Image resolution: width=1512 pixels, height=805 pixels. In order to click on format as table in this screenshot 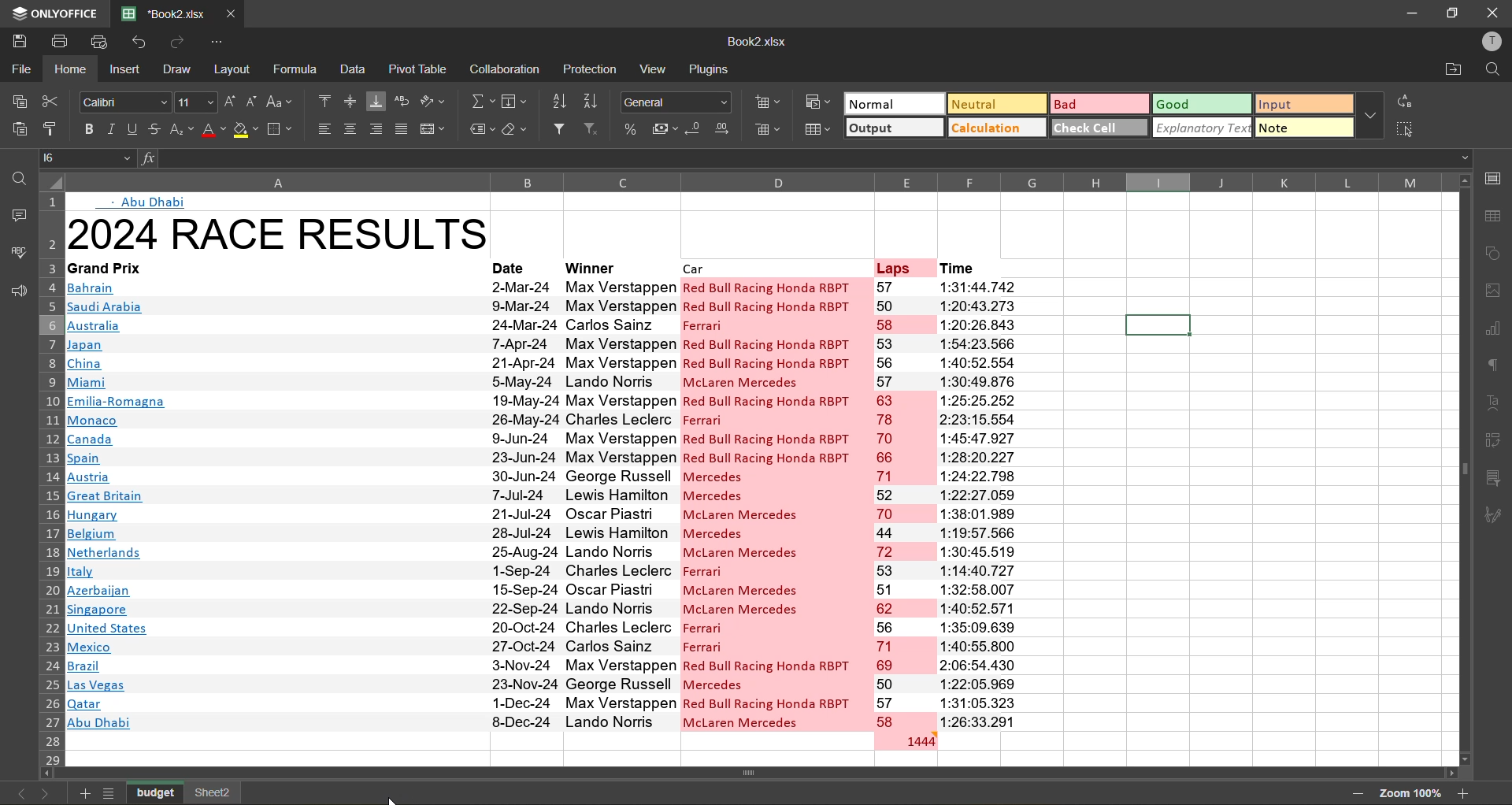, I will do `click(816, 129)`.